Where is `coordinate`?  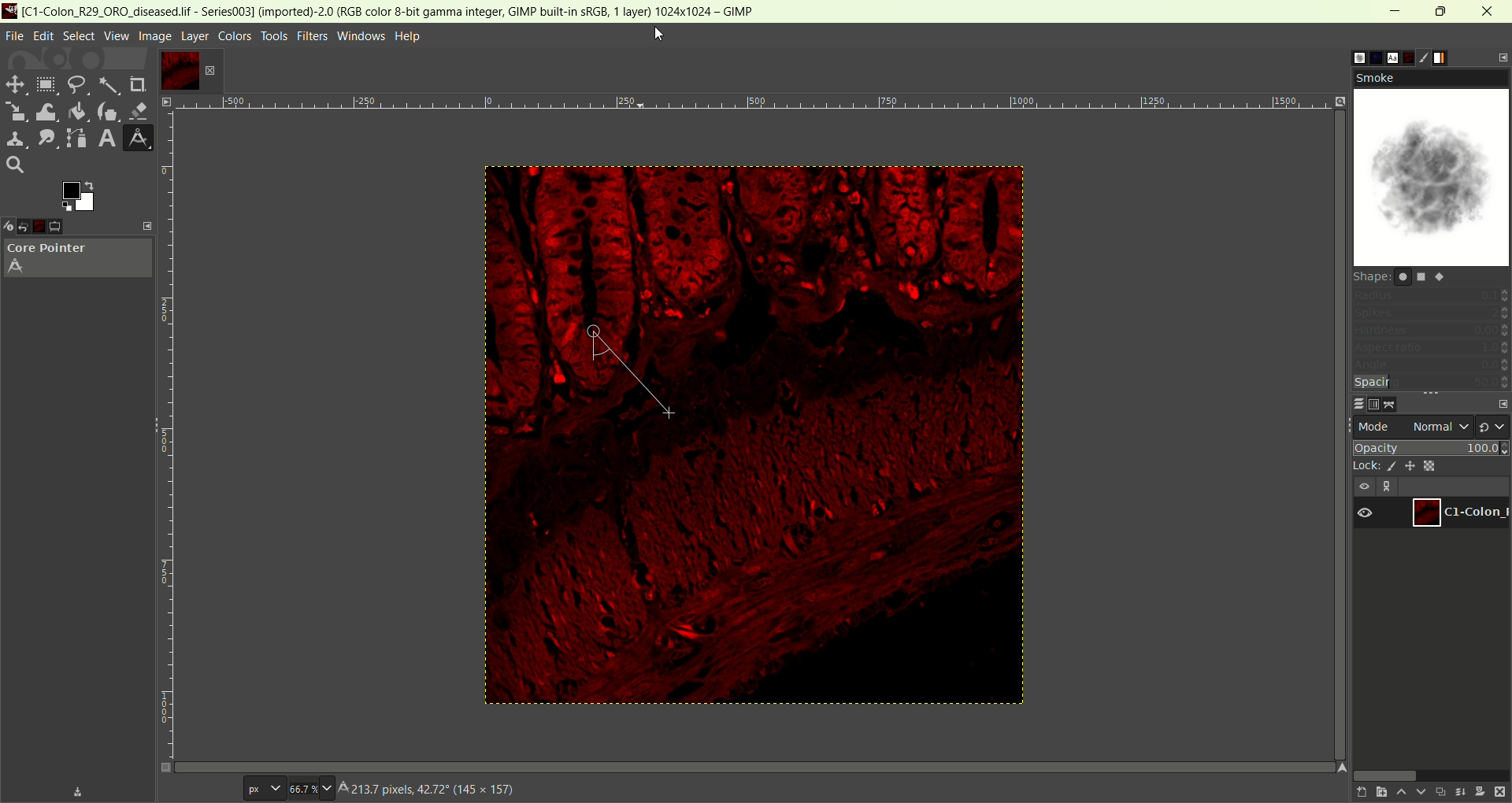 coordinate is located at coordinates (199, 787).